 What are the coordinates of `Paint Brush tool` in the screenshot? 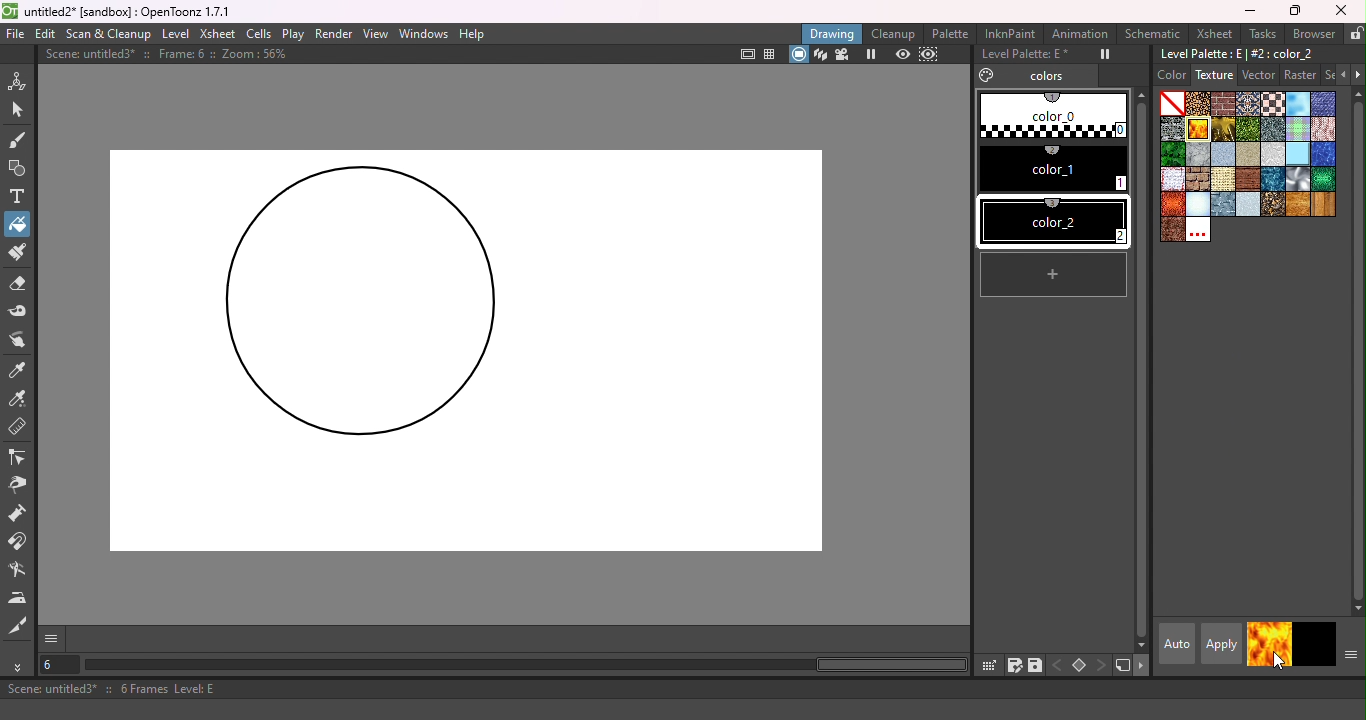 It's located at (20, 254).